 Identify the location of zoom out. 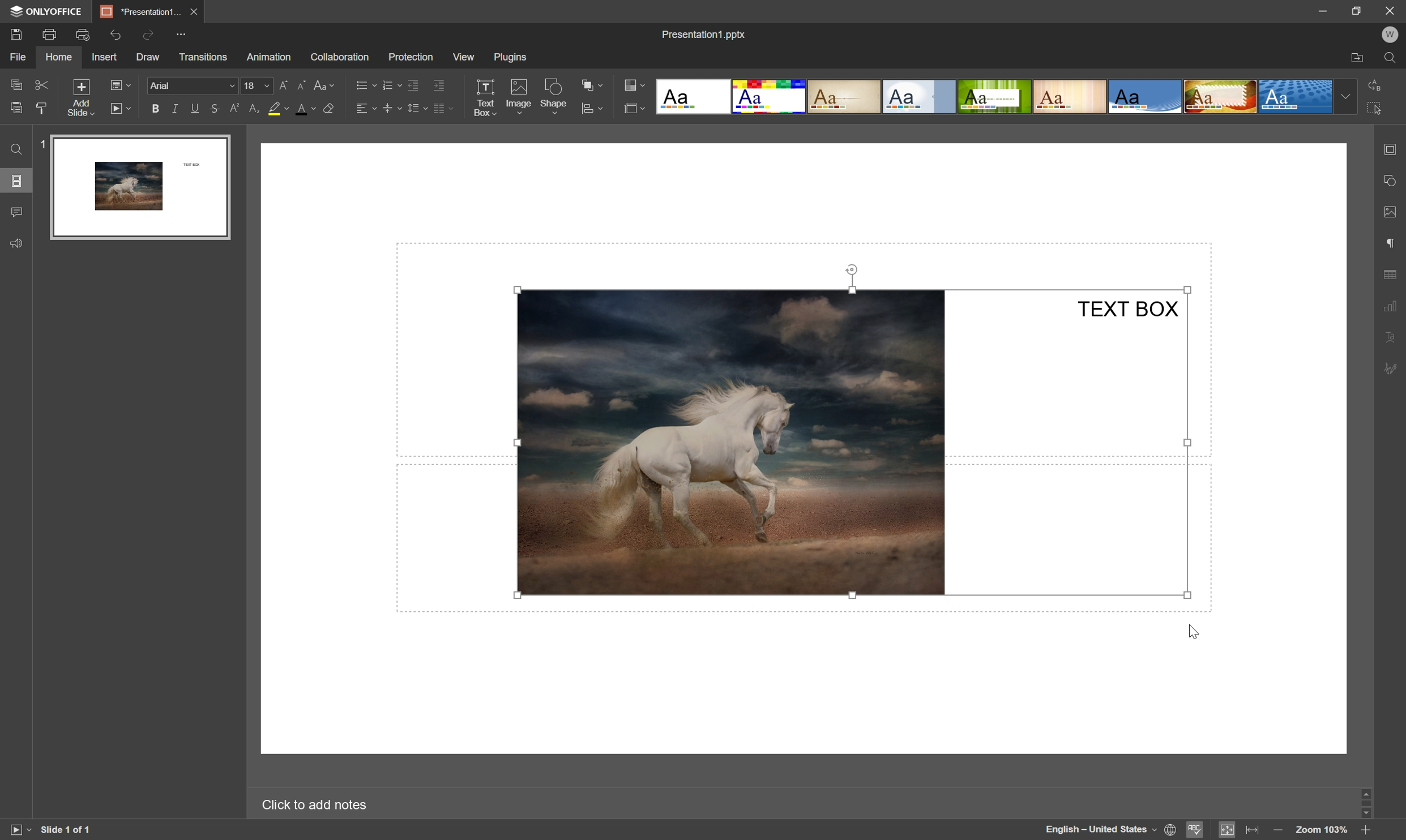
(1275, 830).